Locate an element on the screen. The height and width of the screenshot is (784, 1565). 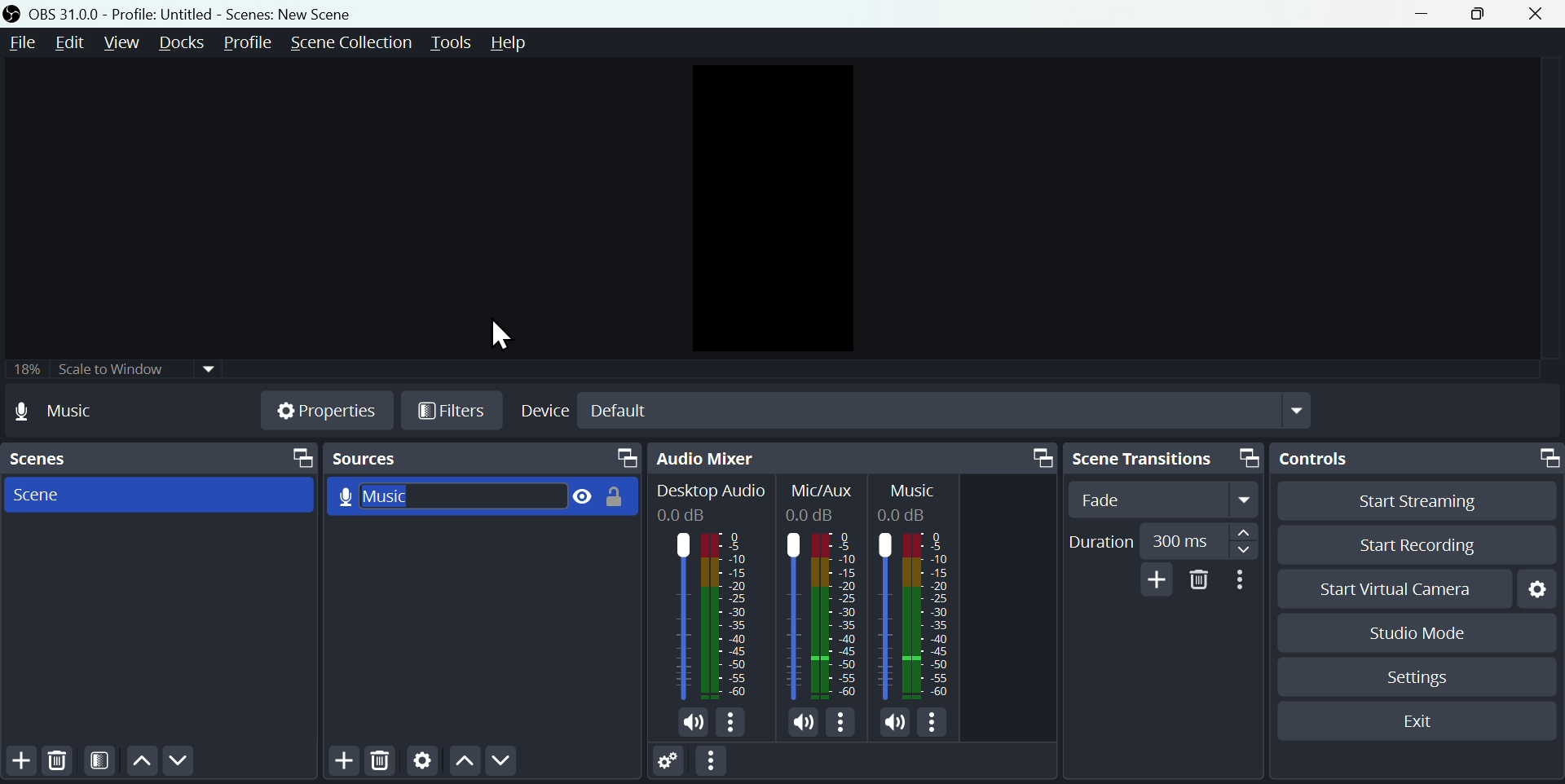
start virtual camera is located at coordinates (1397, 591).